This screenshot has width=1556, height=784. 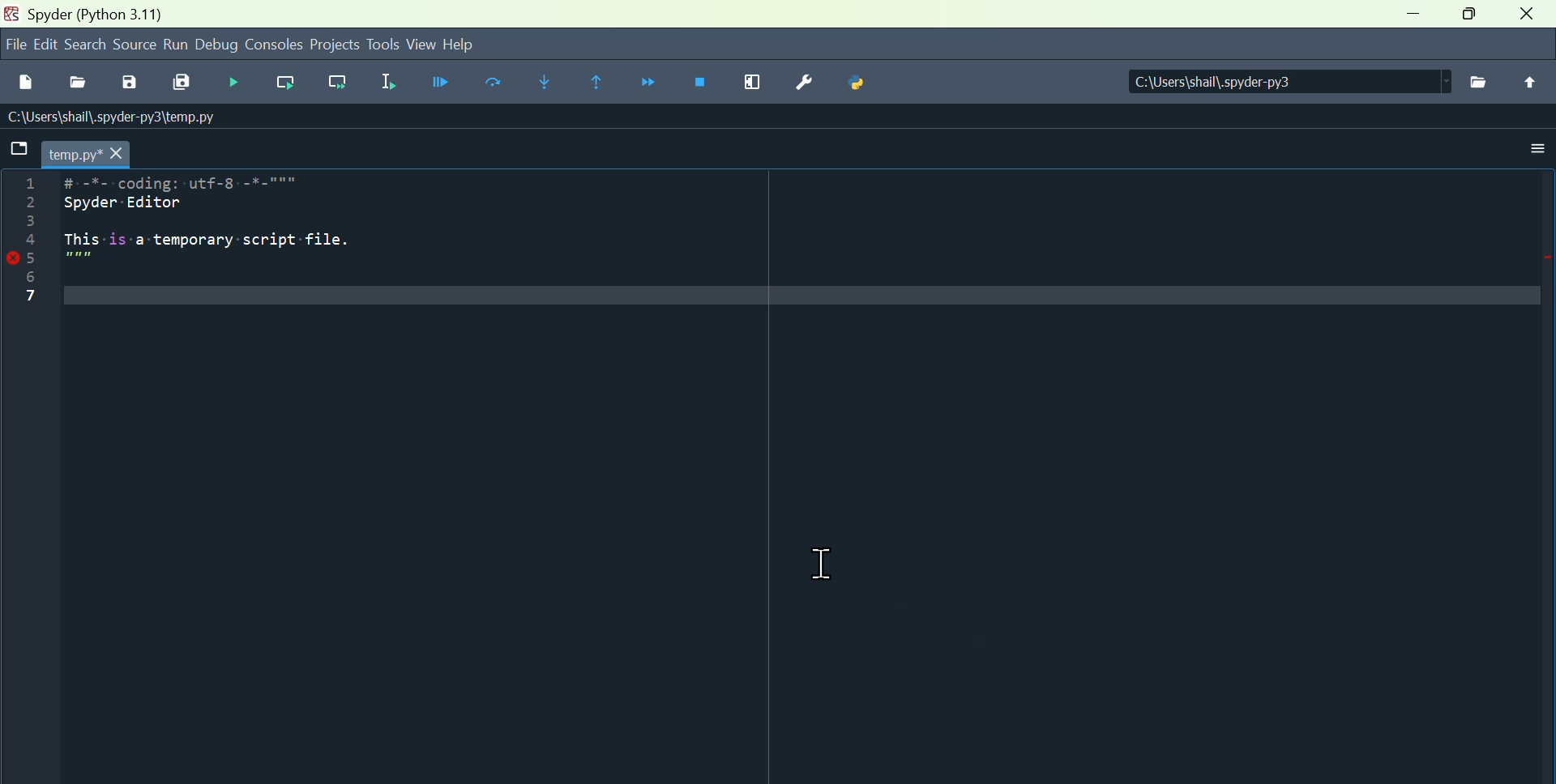 What do you see at coordinates (335, 45) in the screenshot?
I see `Project` at bounding box center [335, 45].